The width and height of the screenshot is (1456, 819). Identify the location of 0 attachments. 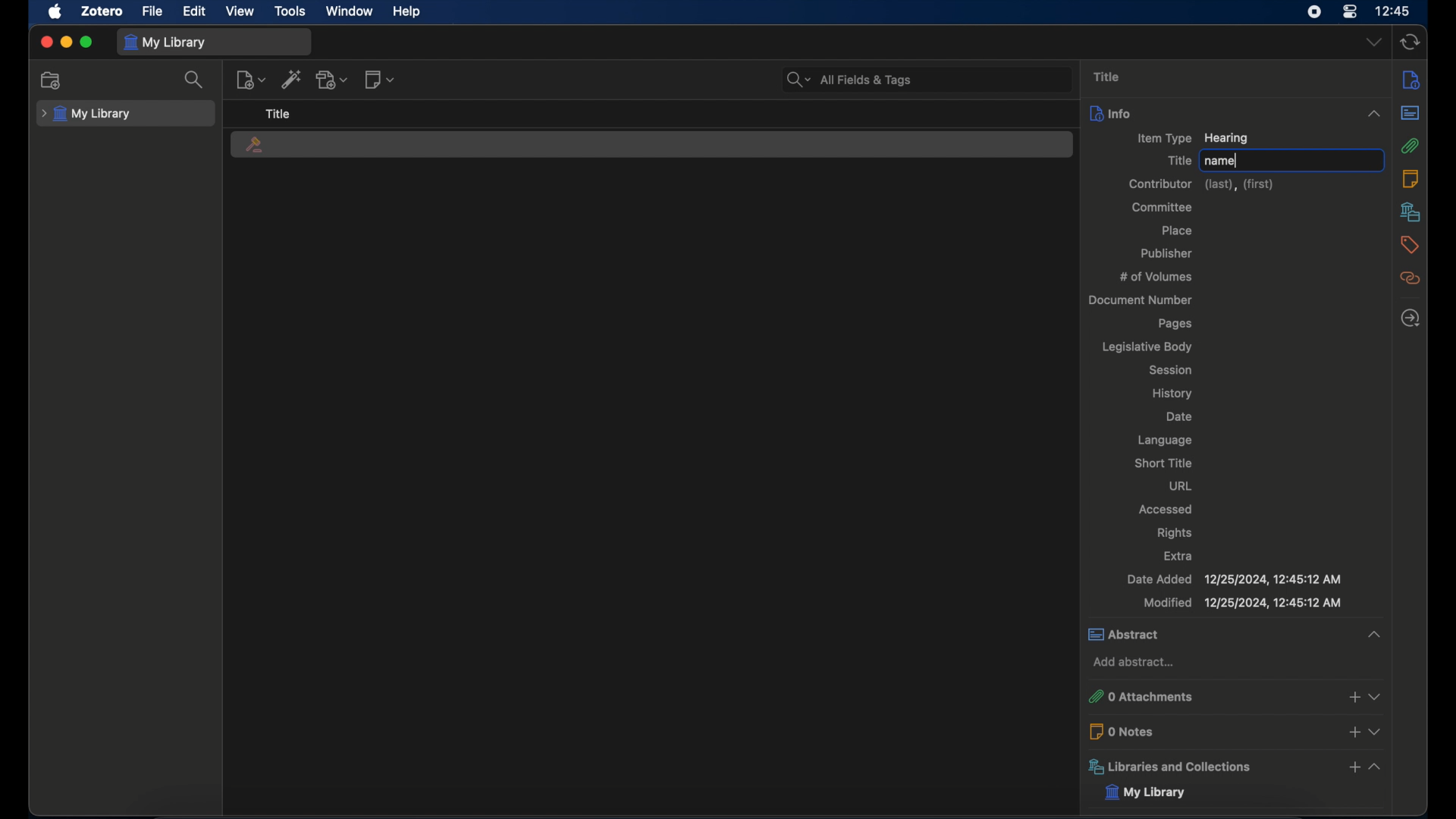
(1233, 698).